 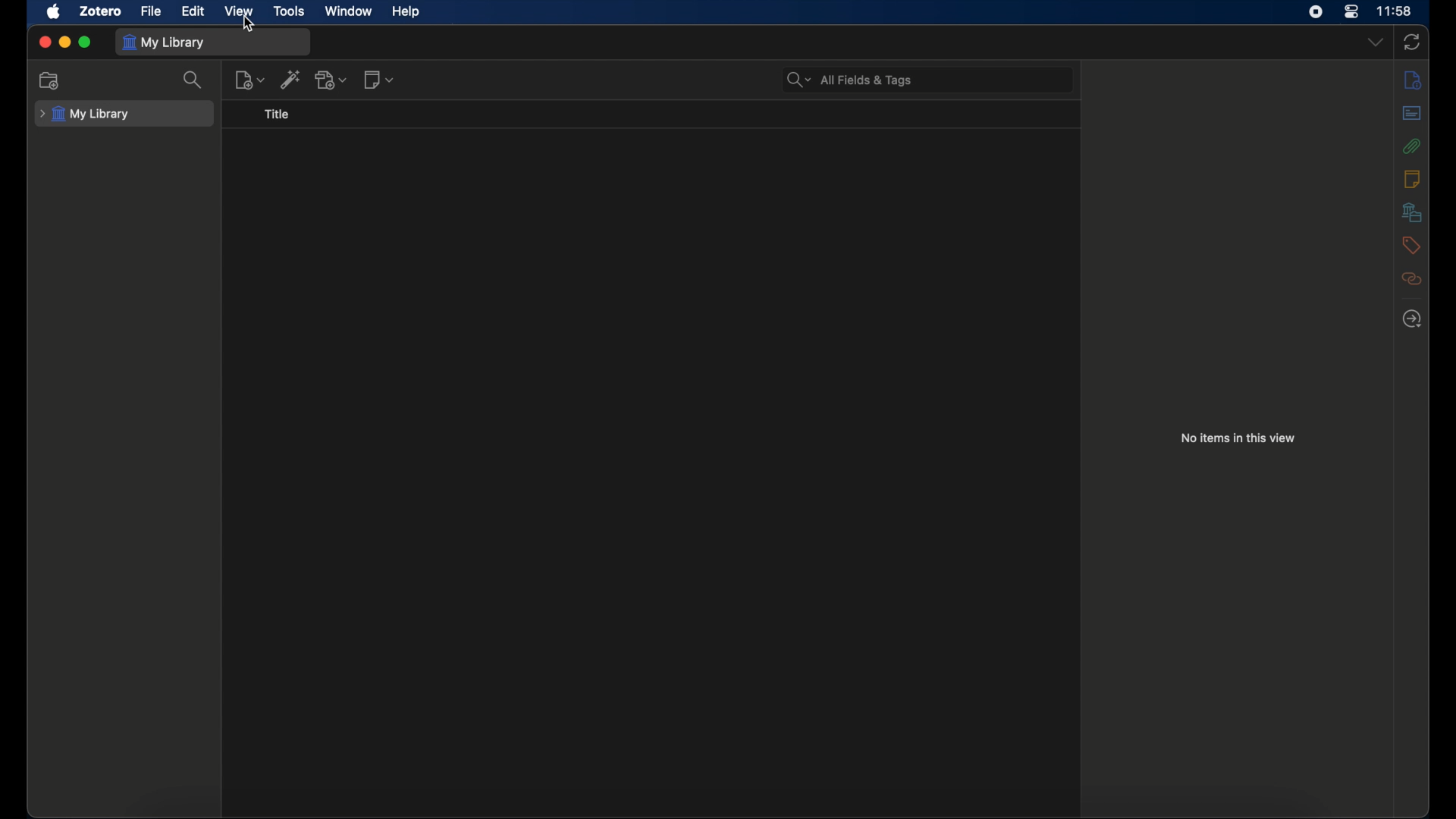 I want to click on libraries, so click(x=1410, y=212).